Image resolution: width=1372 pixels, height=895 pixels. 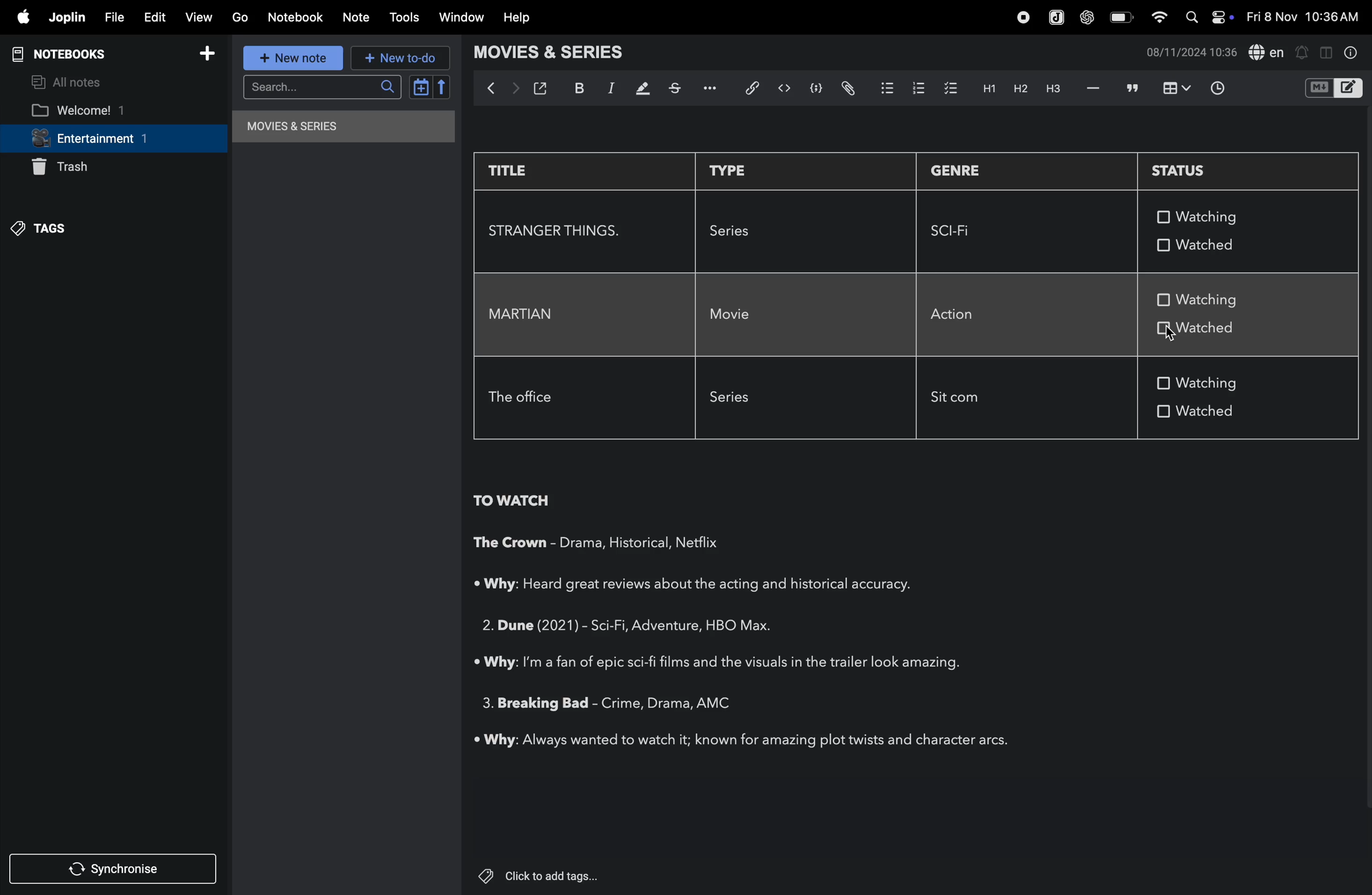 What do you see at coordinates (845, 88) in the screenshot?
I see `attach file` at bounding box center [845, 88].